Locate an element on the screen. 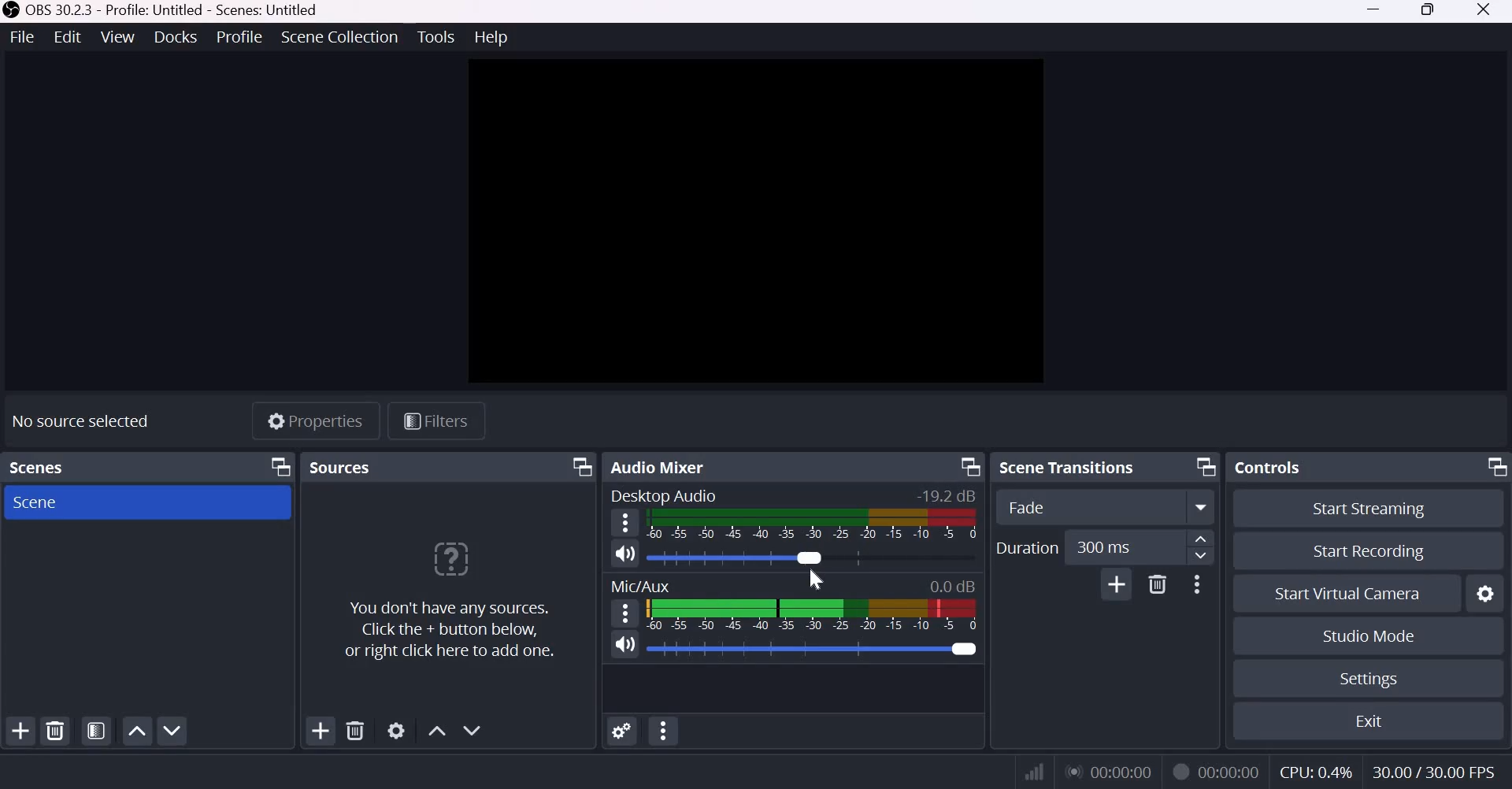 The height and width of the screenshot is (789, 1512). Audio Slider is located at coordinates (738, 557).